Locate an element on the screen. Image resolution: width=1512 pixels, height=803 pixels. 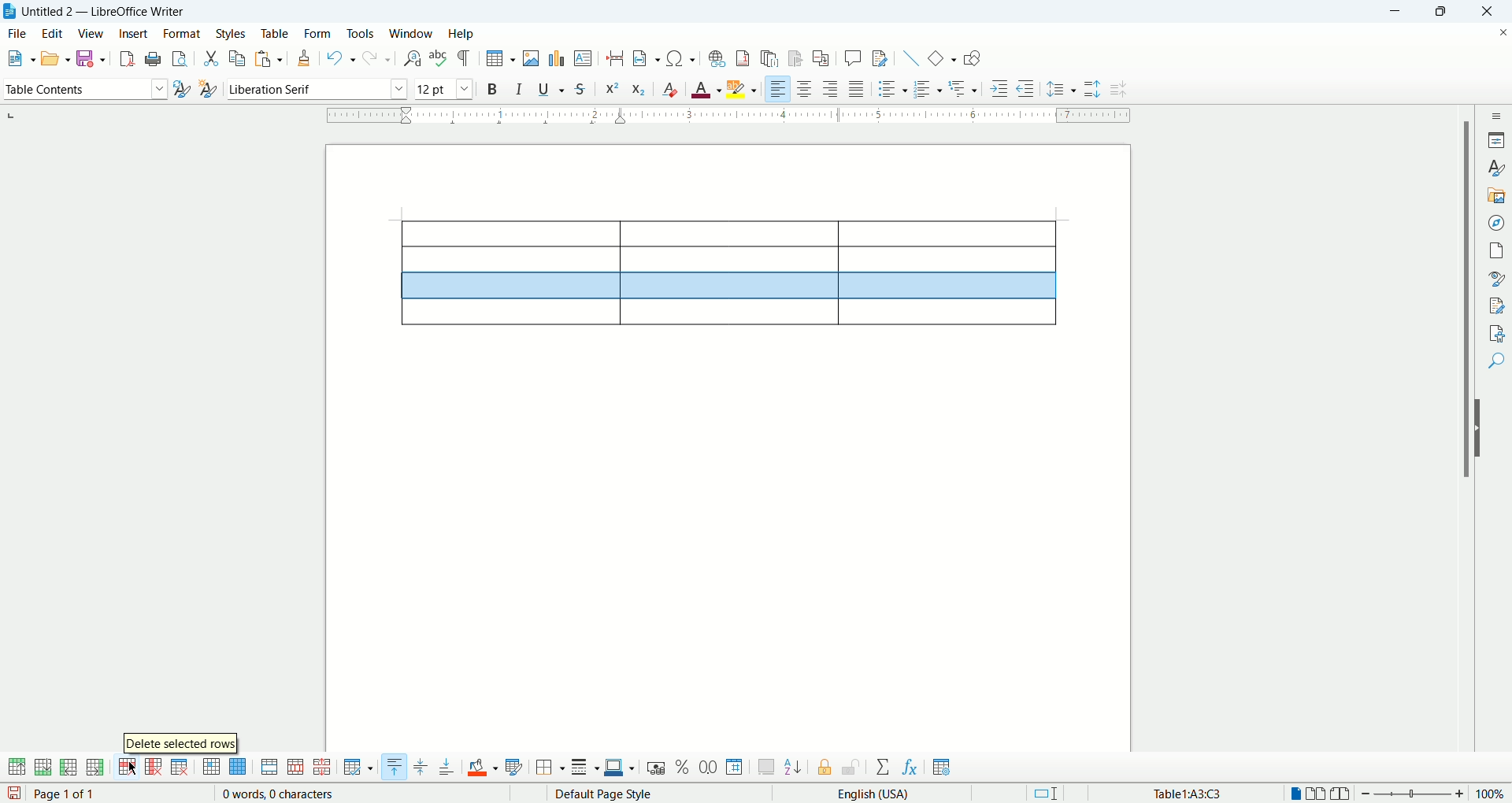
add rows below is located at coordinates (42, 767).